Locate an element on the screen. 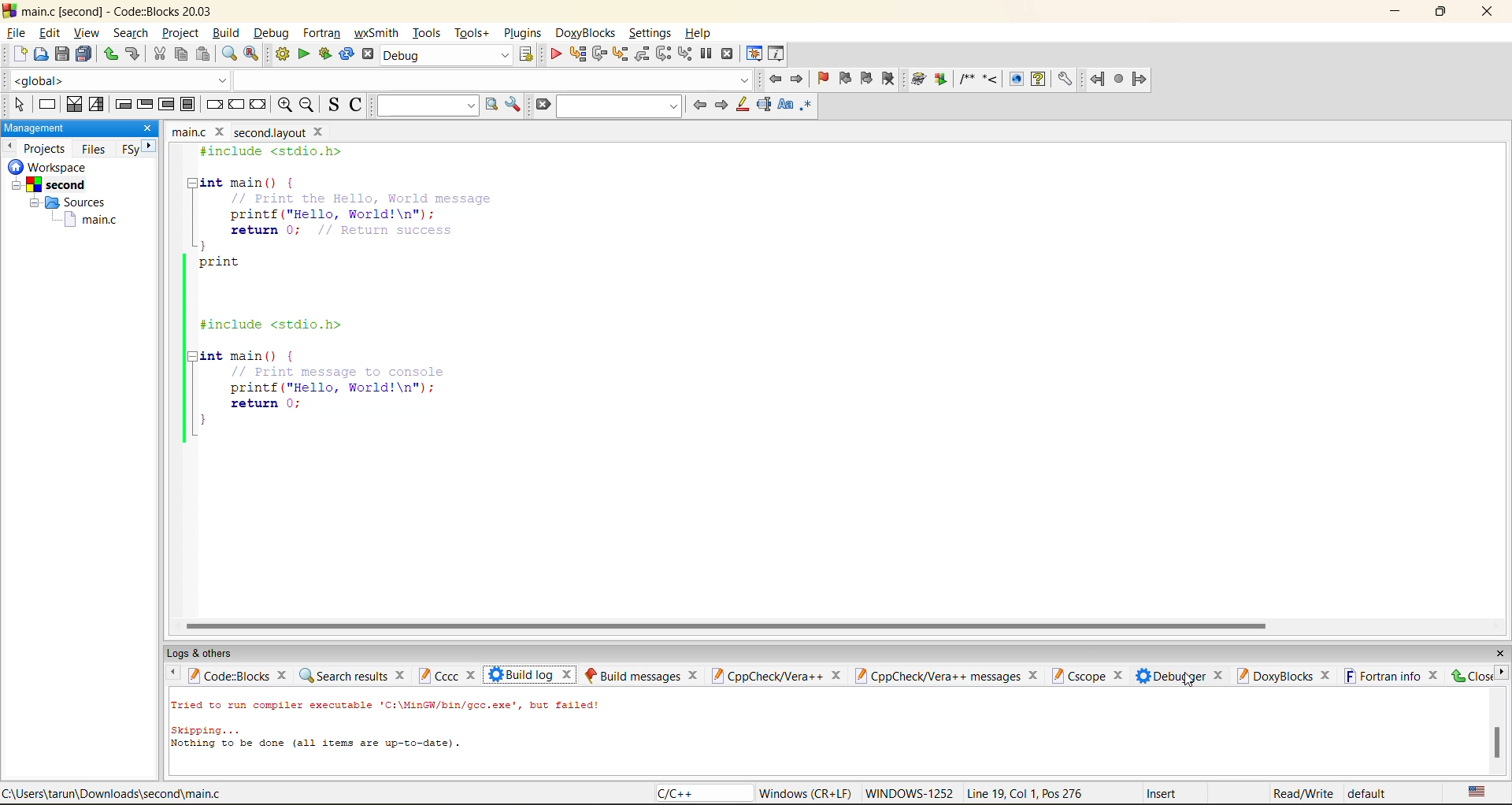 Image resolution: width=1512 pixels, height=805 pixels. copy is located at coordinates (180, 57).